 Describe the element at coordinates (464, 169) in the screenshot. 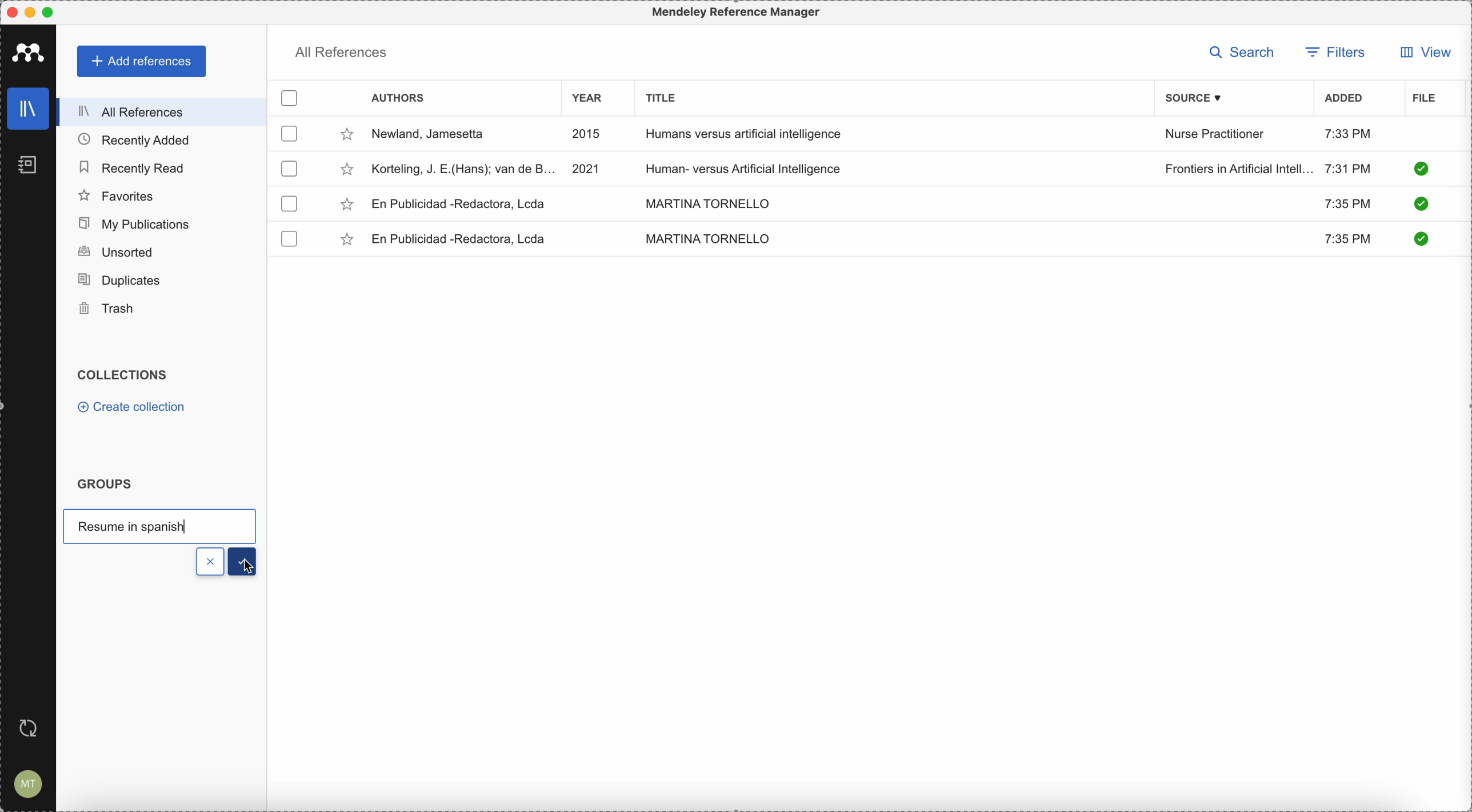

I see `Korteling, J.E.(Hans)` at that location.